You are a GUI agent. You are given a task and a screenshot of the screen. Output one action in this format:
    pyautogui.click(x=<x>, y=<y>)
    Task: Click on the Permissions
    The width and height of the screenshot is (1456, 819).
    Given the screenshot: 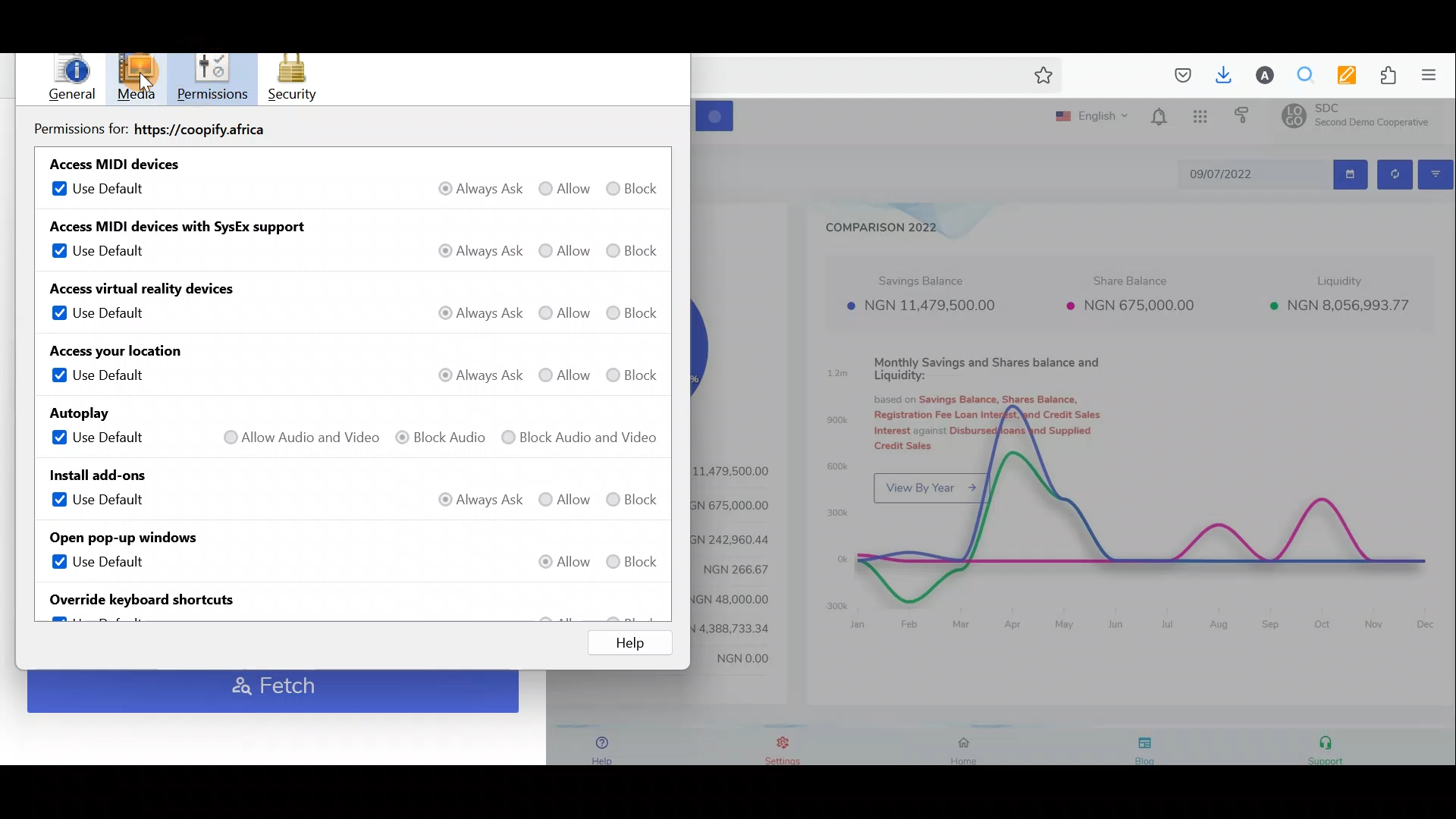 What is the action you would take?
    pyautogui.click(x=215, y=75)
    